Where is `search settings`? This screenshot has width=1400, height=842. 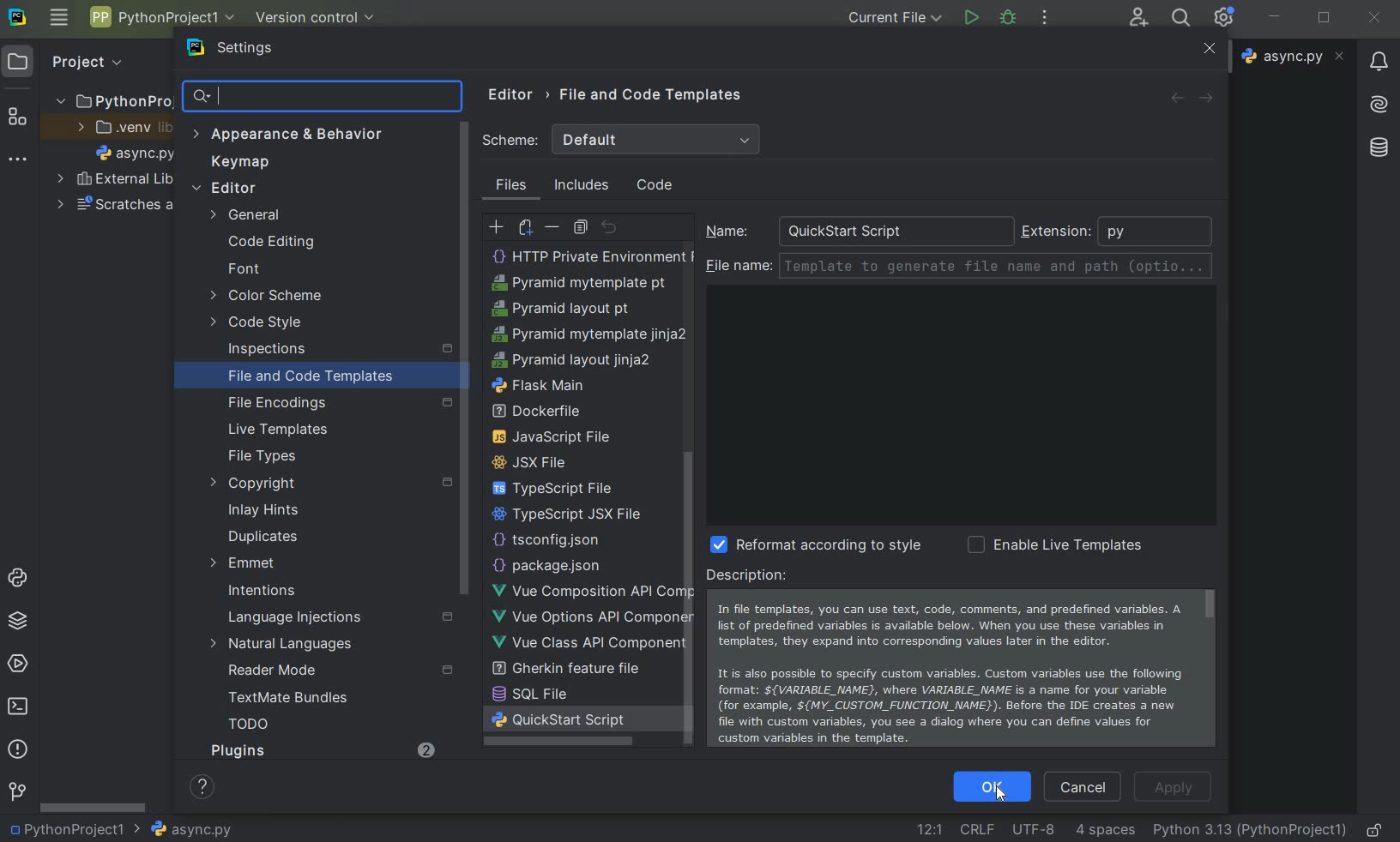 search settings is located at coordinates (323, 96).